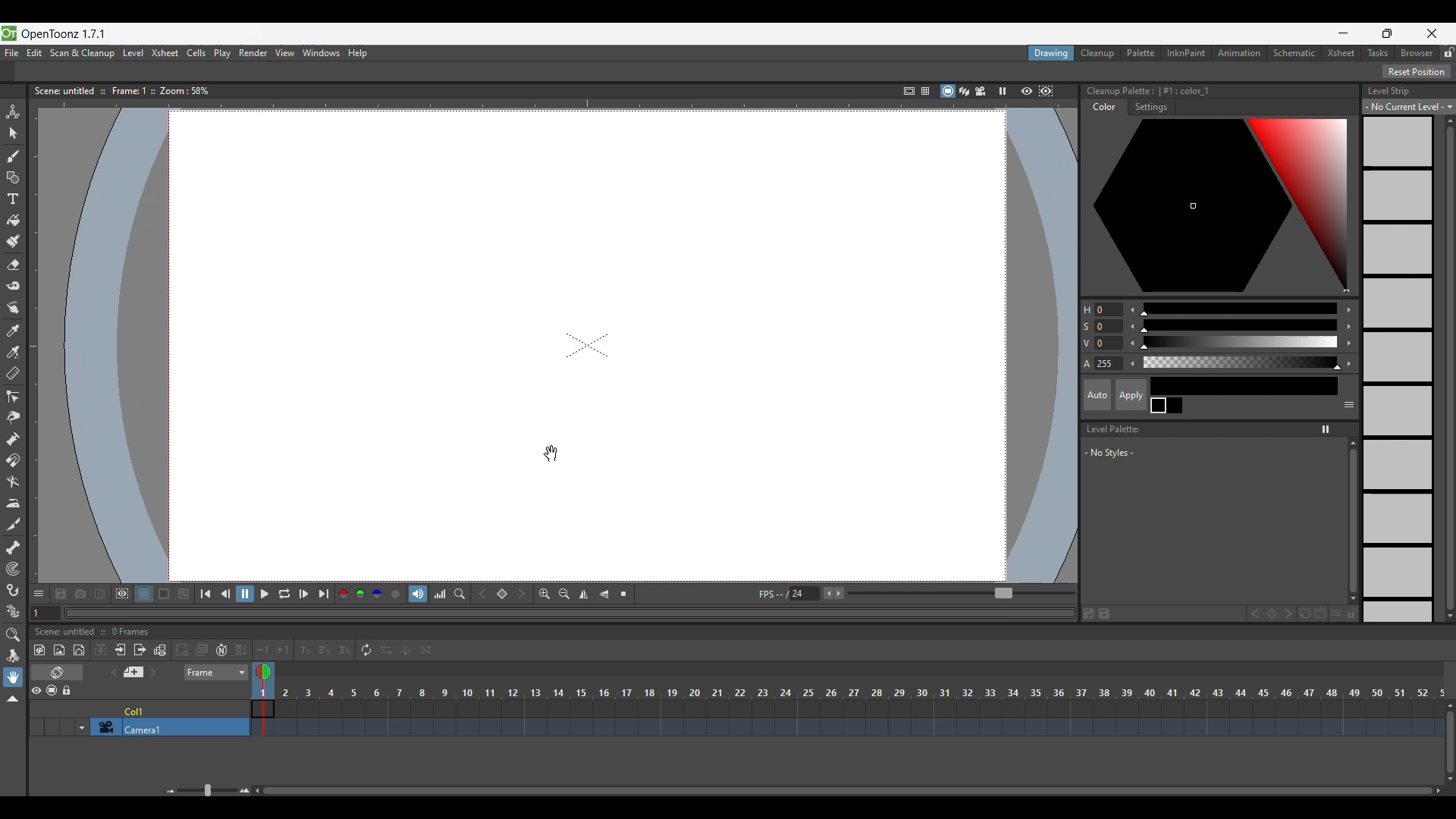 The width and height of the screenshot is (1456, 819). Describe the element at coordinates (1240, 336) in the screenshot. I see `Use slider for color modification` at that location.